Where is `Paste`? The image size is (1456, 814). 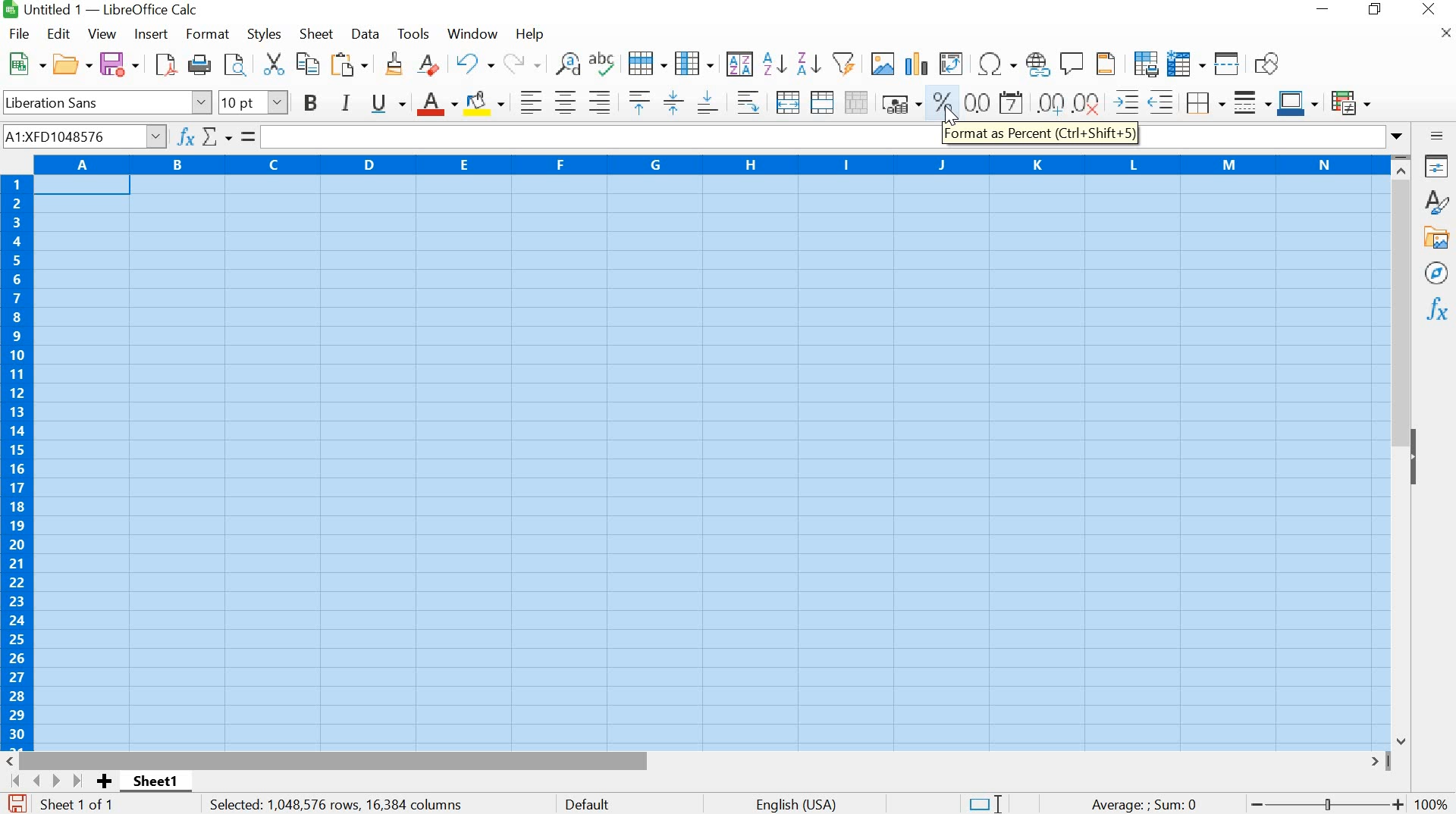
Paste is located at coordinates (350, 63).